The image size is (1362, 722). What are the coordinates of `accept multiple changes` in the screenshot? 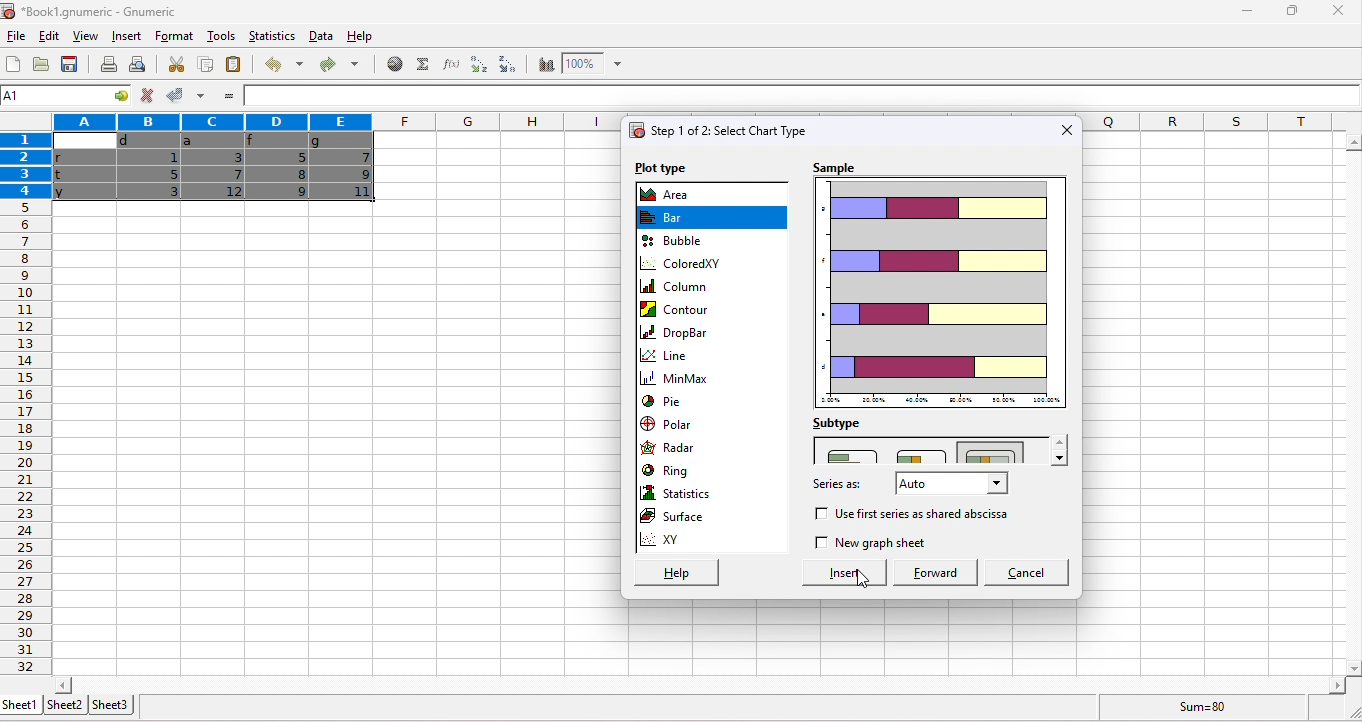 It's located at (202, 95).